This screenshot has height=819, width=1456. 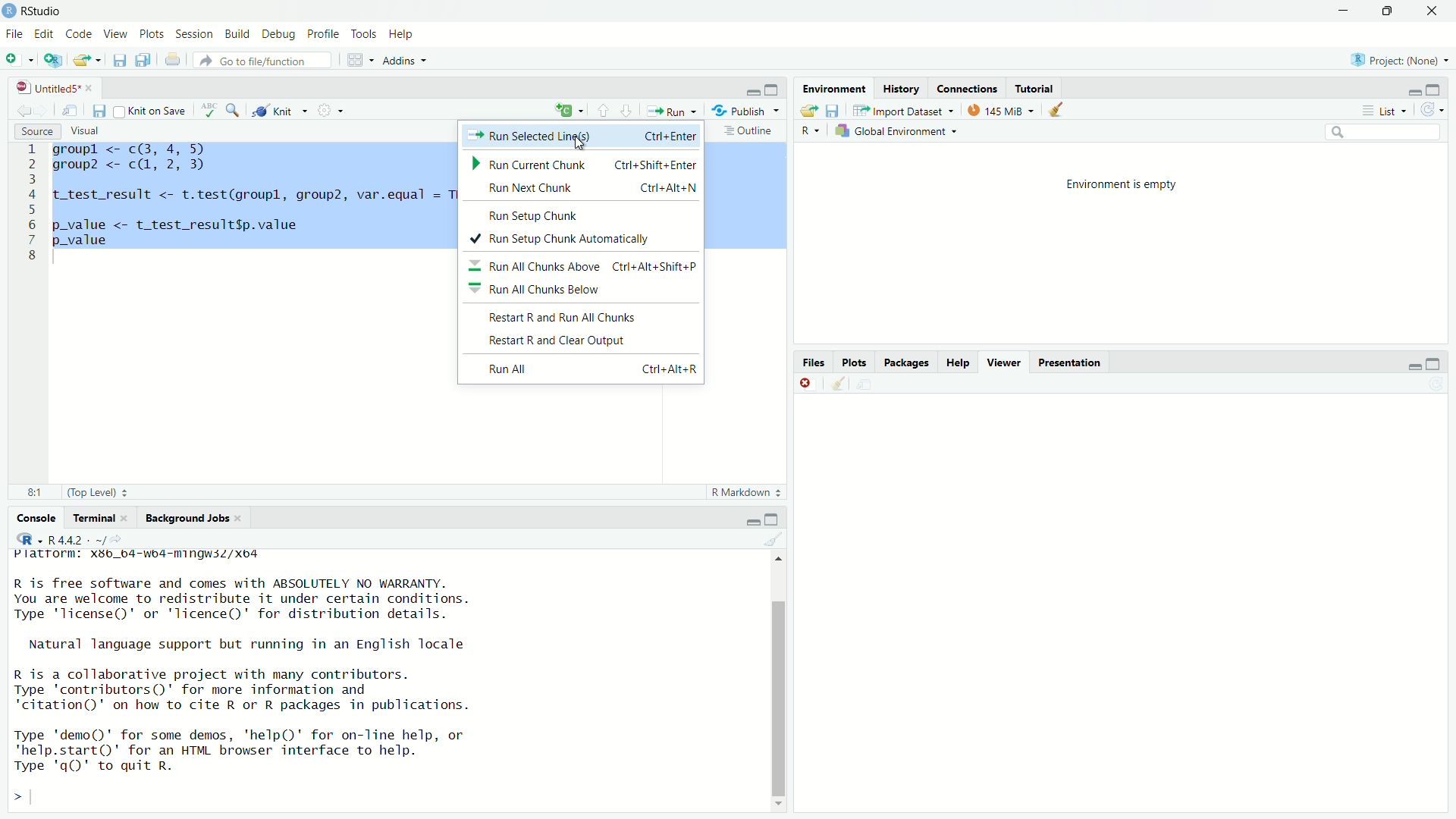 I want to click on RB) Project: (None) , so click(x=1394, y=58).